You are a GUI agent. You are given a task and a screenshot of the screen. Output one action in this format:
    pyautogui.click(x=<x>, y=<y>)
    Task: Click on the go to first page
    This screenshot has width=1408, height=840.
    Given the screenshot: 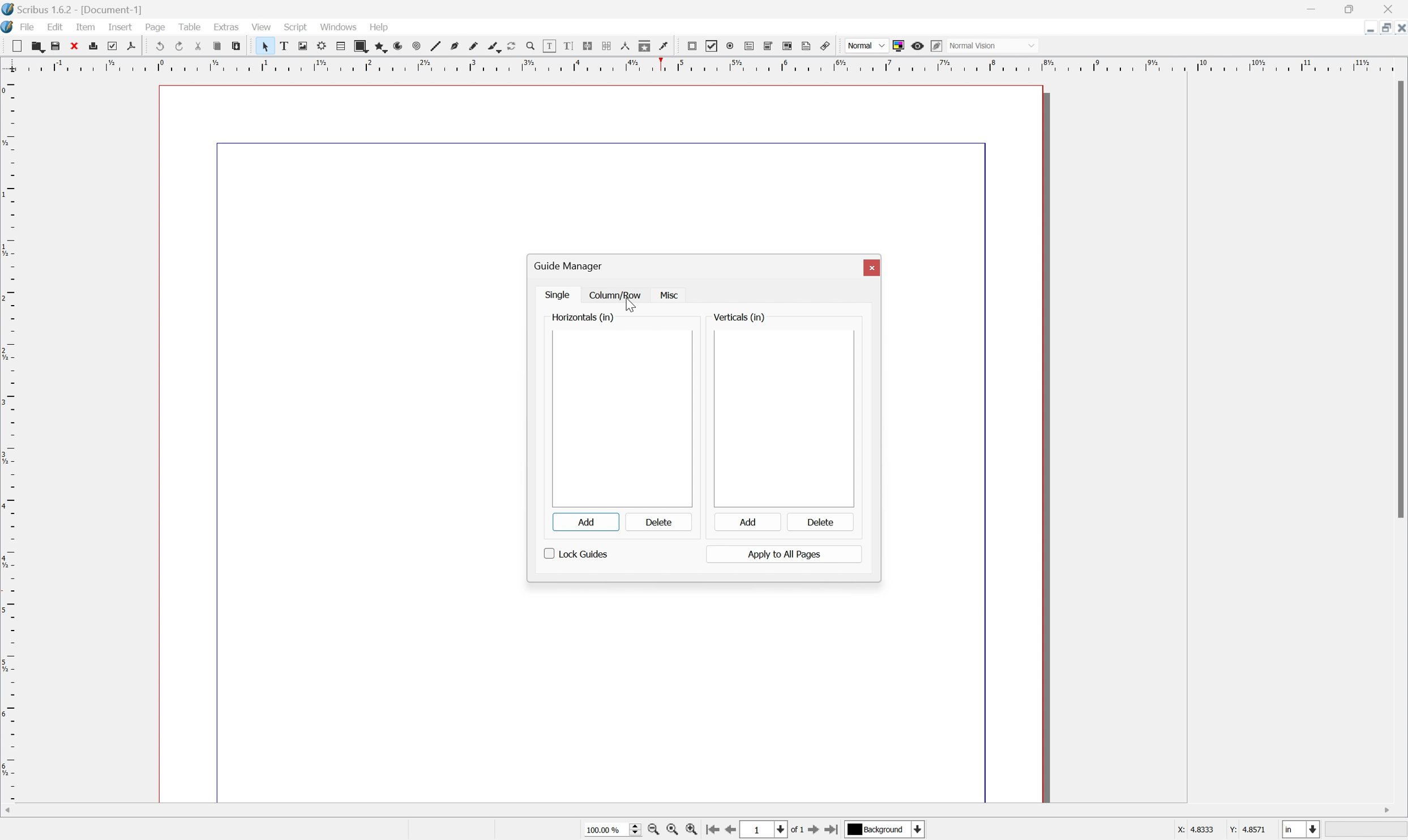 What is the action you would take?
    pyautogui.click(x=712, y=830)
    